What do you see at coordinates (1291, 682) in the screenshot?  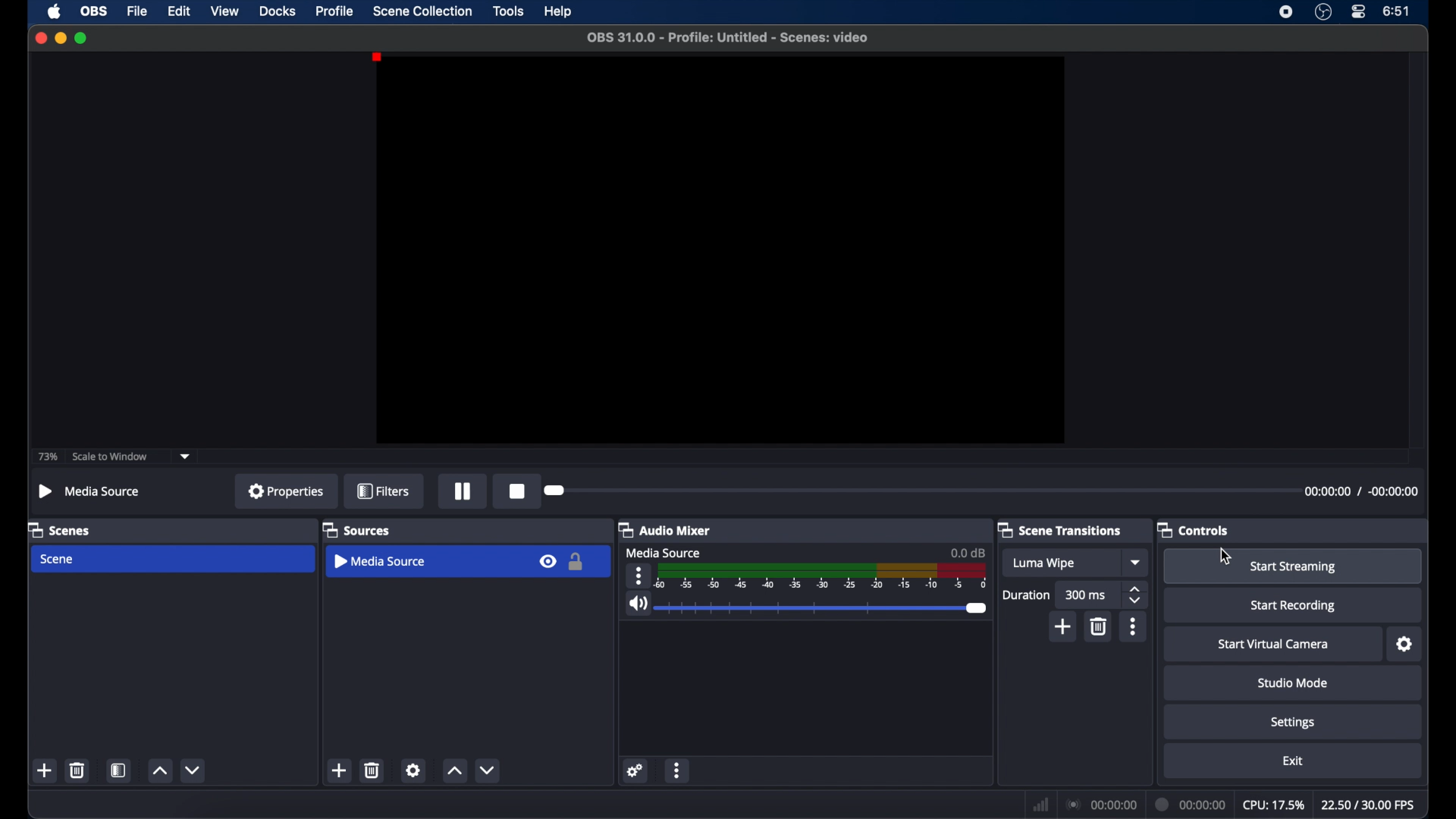 I see `studio mode` at bounding box center [1291, 682].